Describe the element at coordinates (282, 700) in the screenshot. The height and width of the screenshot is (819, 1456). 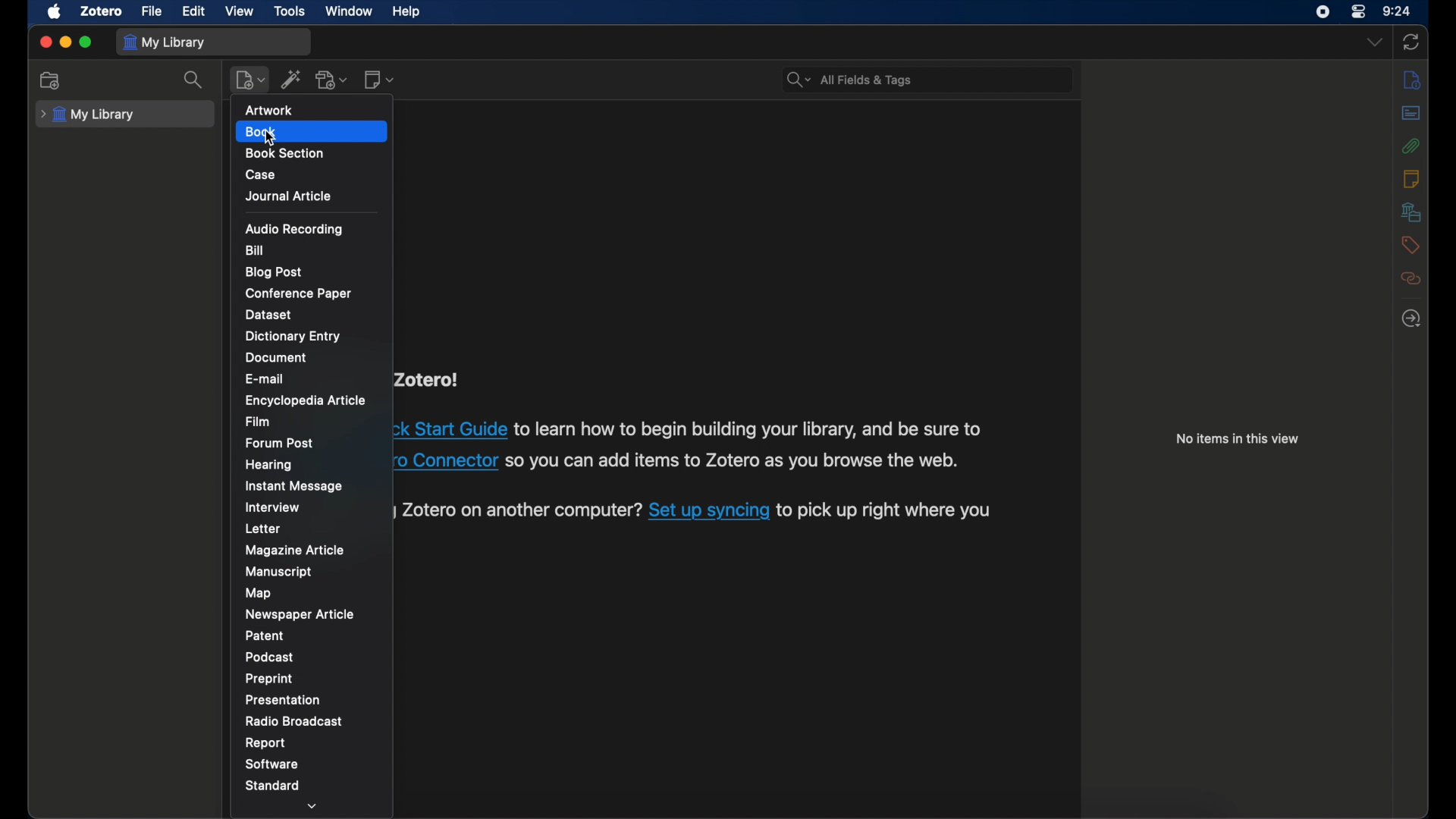
I see `presentation` at that location.